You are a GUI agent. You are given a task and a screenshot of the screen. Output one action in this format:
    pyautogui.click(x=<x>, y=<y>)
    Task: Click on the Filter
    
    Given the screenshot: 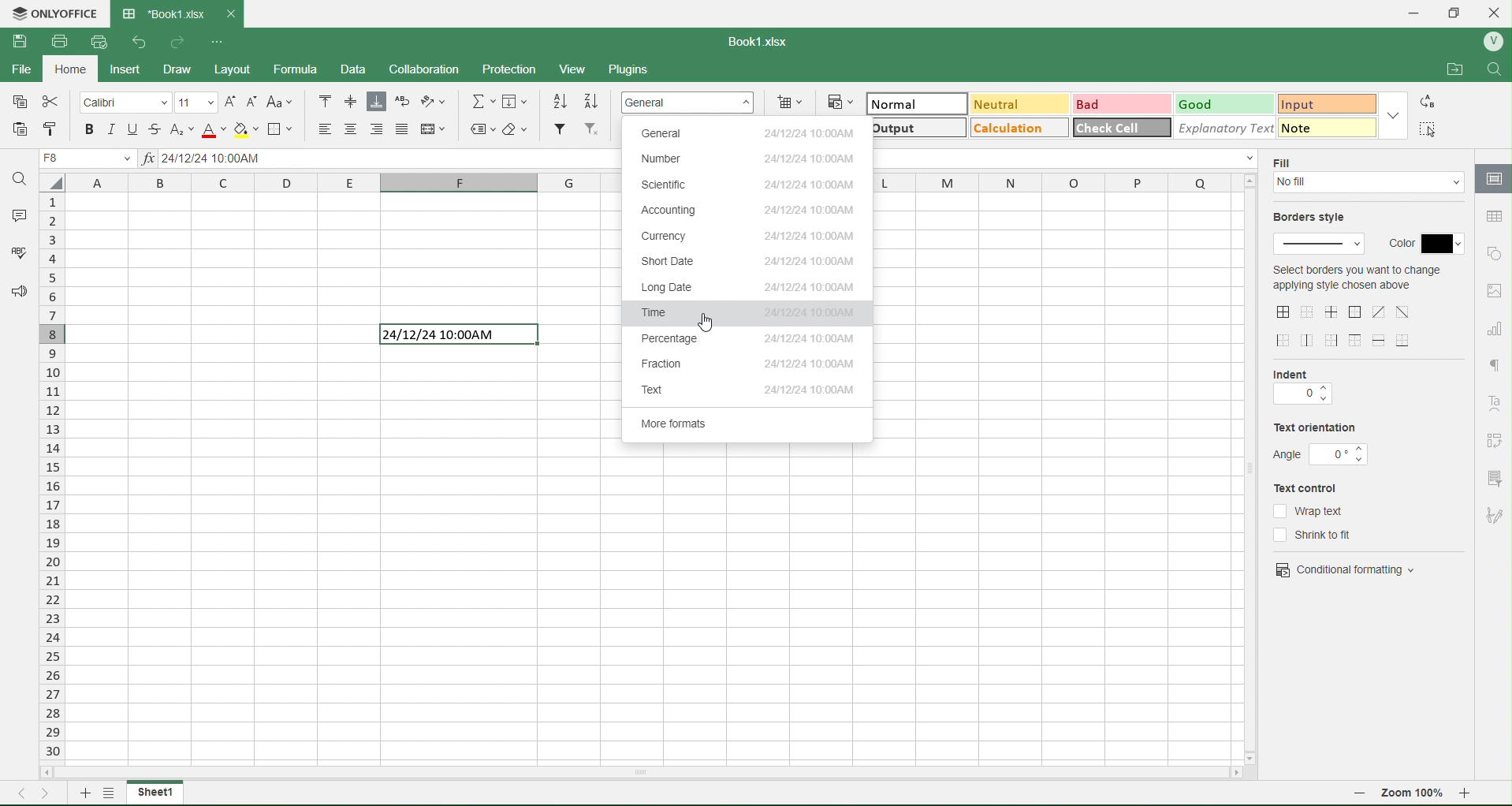 What is the action you would take?
    pyautogui.click(x=559, y=129)
    